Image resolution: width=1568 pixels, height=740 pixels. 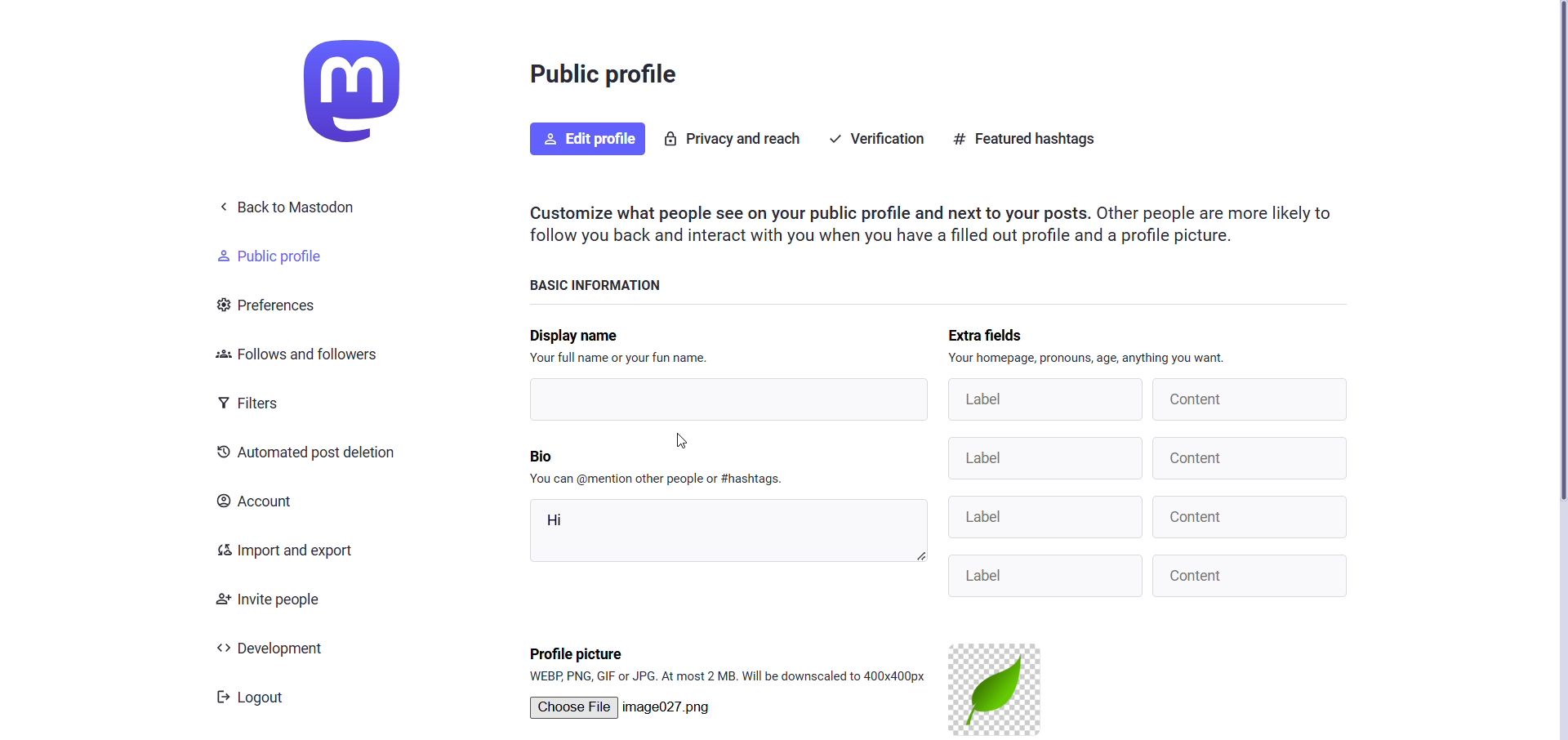 What do you see at coordinates (283, 206) in the screenshot?
I see `< Back to Mastodon` at bounding box center [283, 206].